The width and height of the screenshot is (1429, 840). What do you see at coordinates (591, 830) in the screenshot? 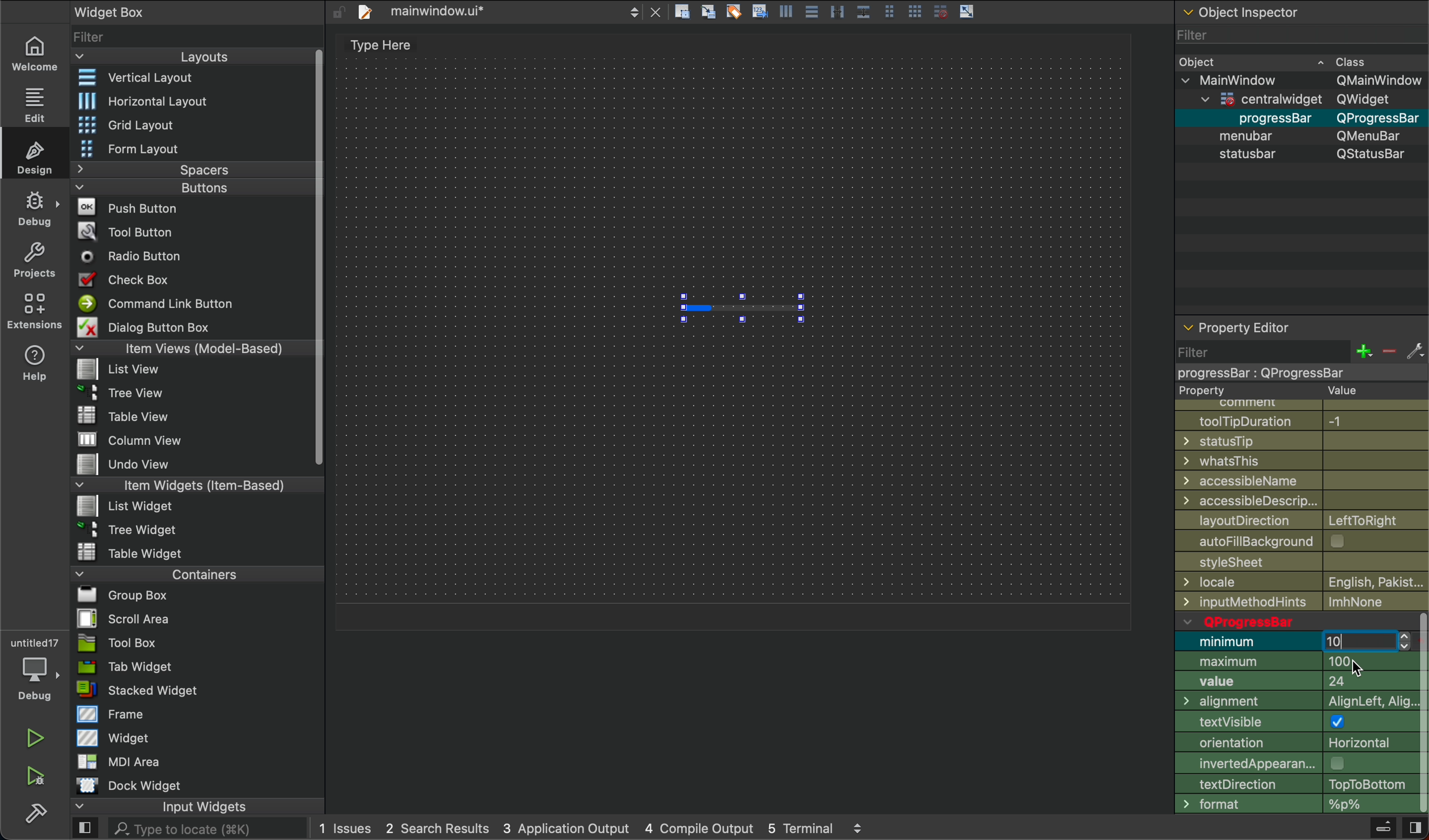
I see `logs` at bounding box center [591, 830].